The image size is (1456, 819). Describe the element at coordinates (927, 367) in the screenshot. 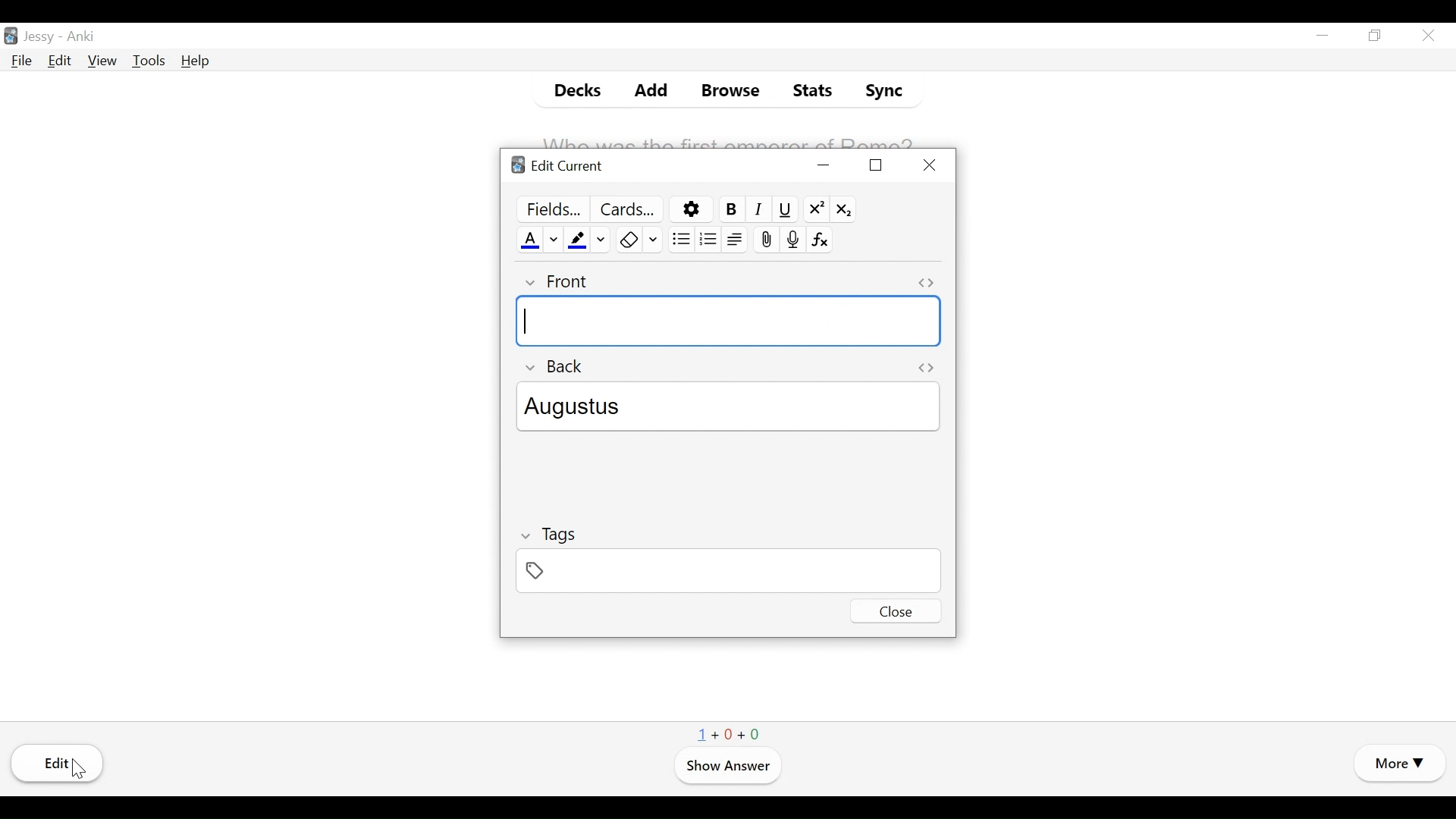

I see `Toggle TML Editor` at that location.